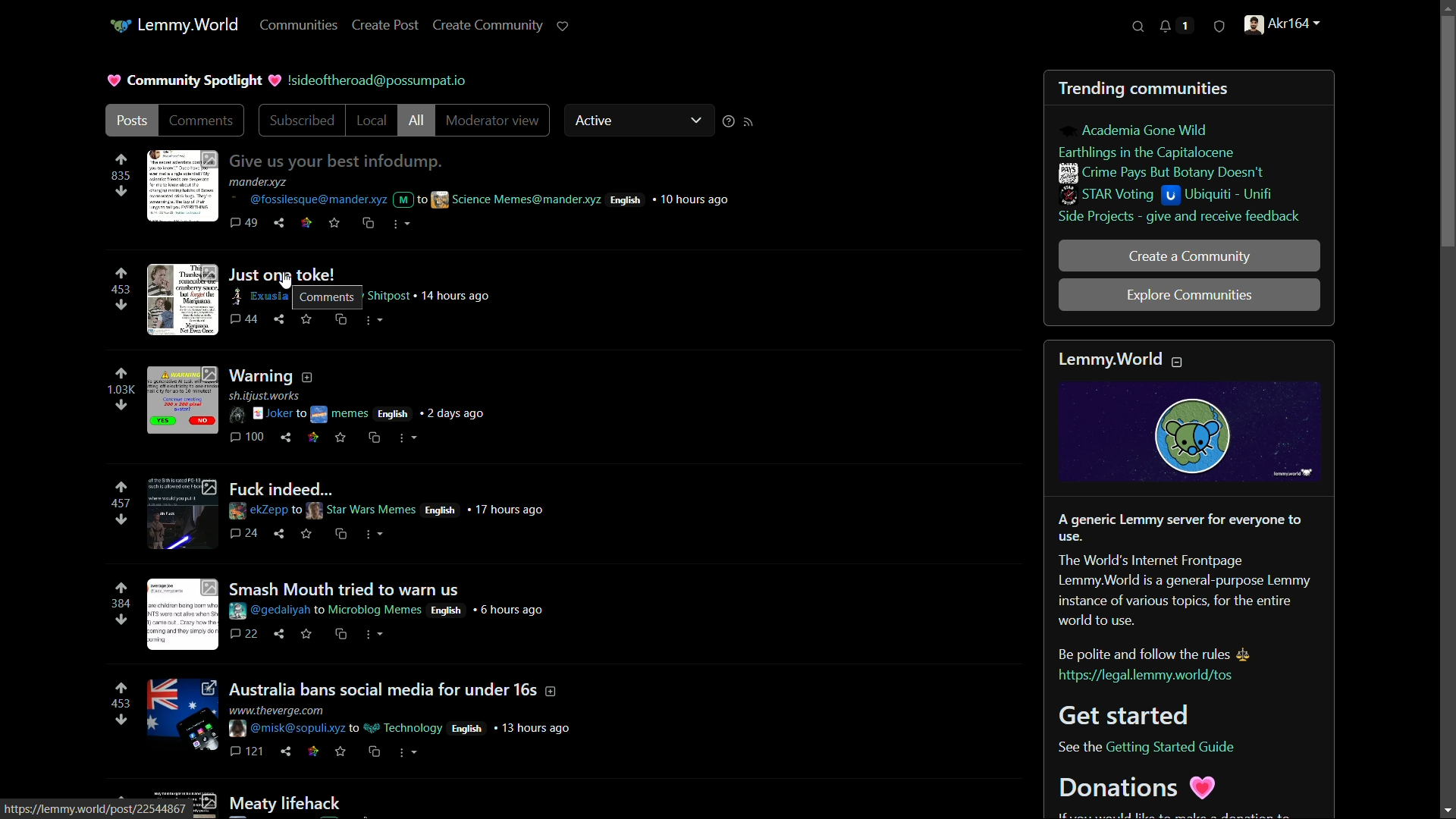  What do you see at coordinates (367, 224) in the screenshot?
I see `cross-post` at bounding box center [367, 224].